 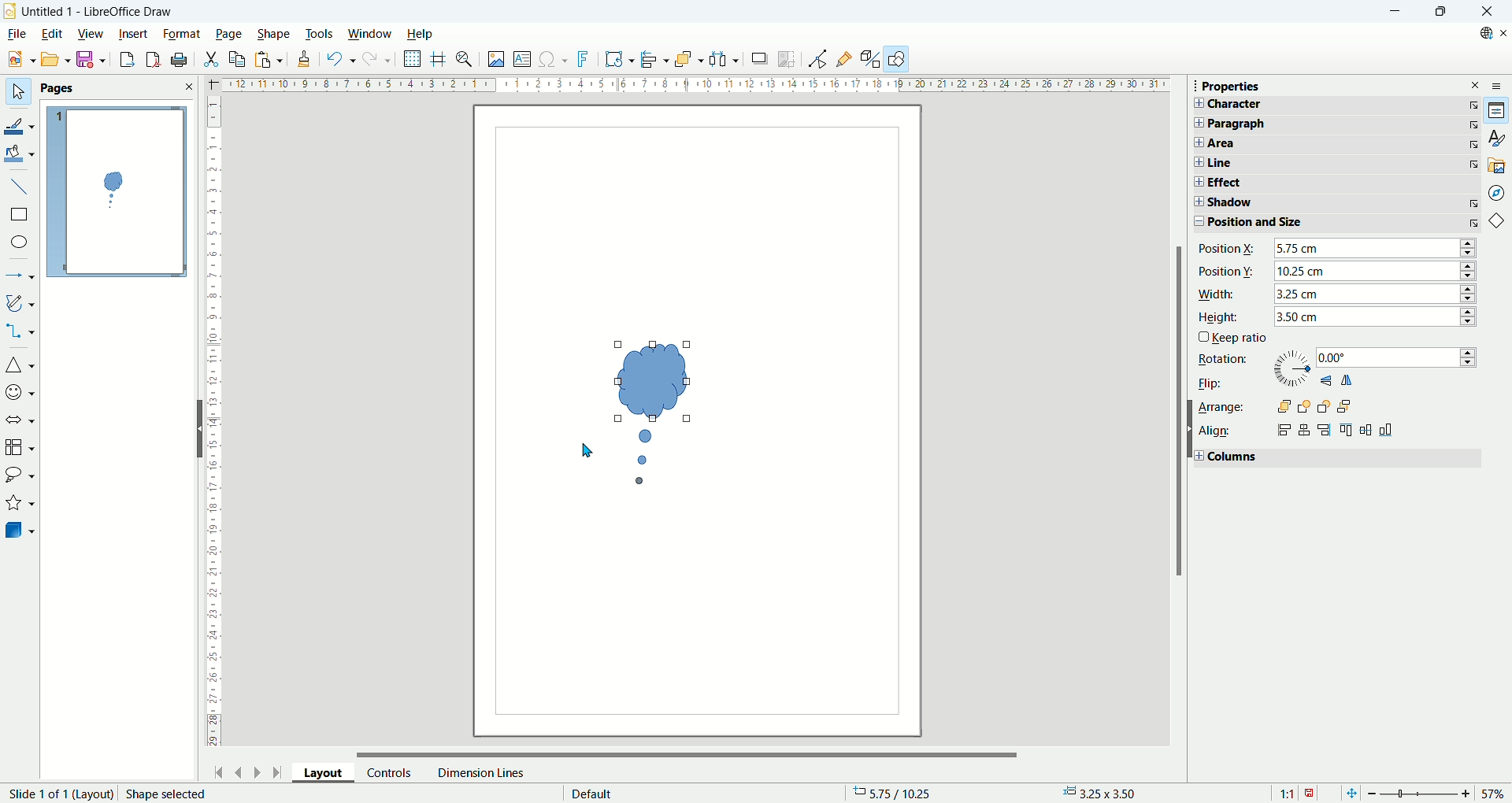 I want to click on Top, so click(x=1348, y=429).